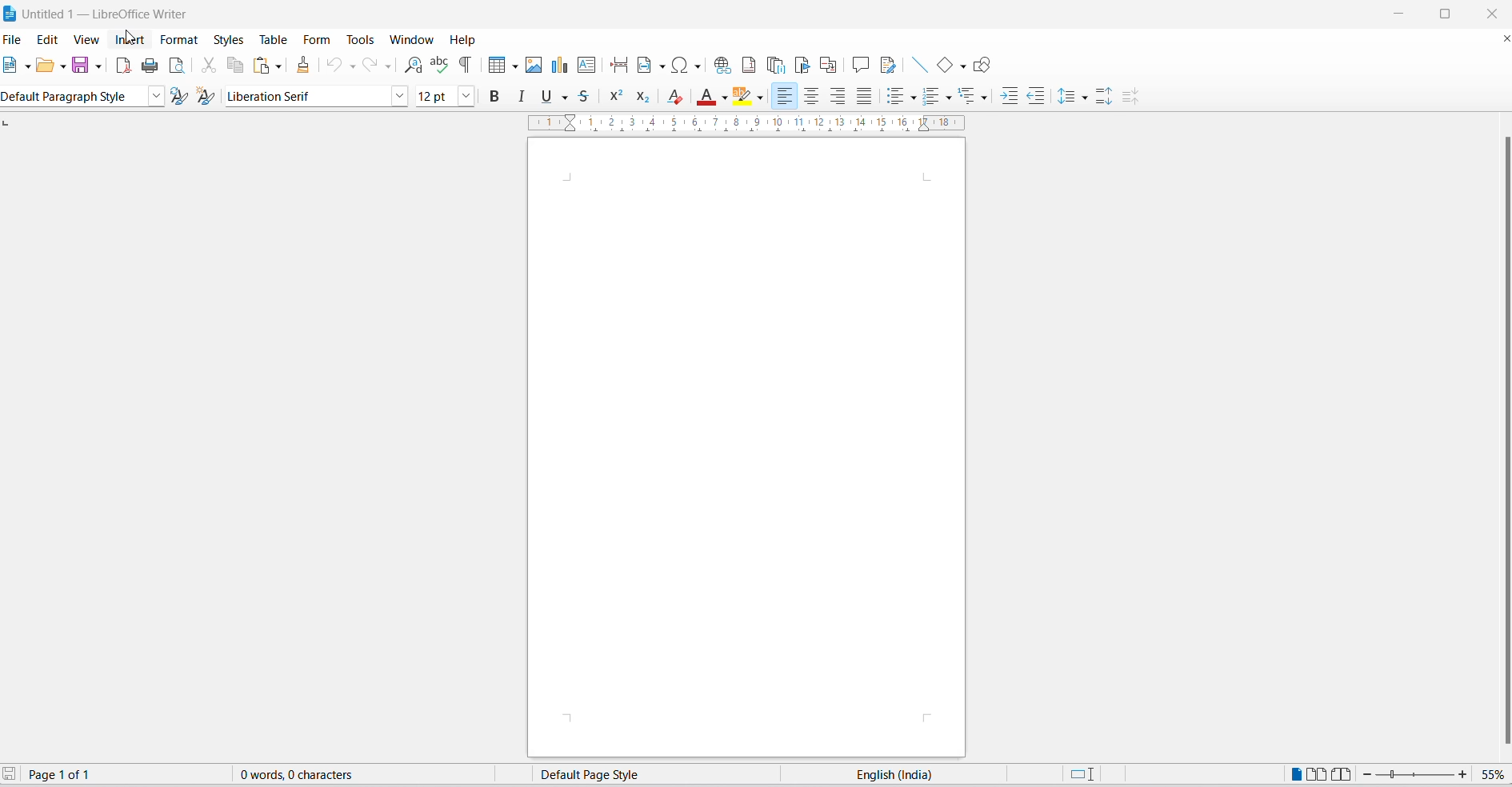  What do you see at coordinates (81, 66) in the screenshot?
I see `save` at bounding box center [81, 66].